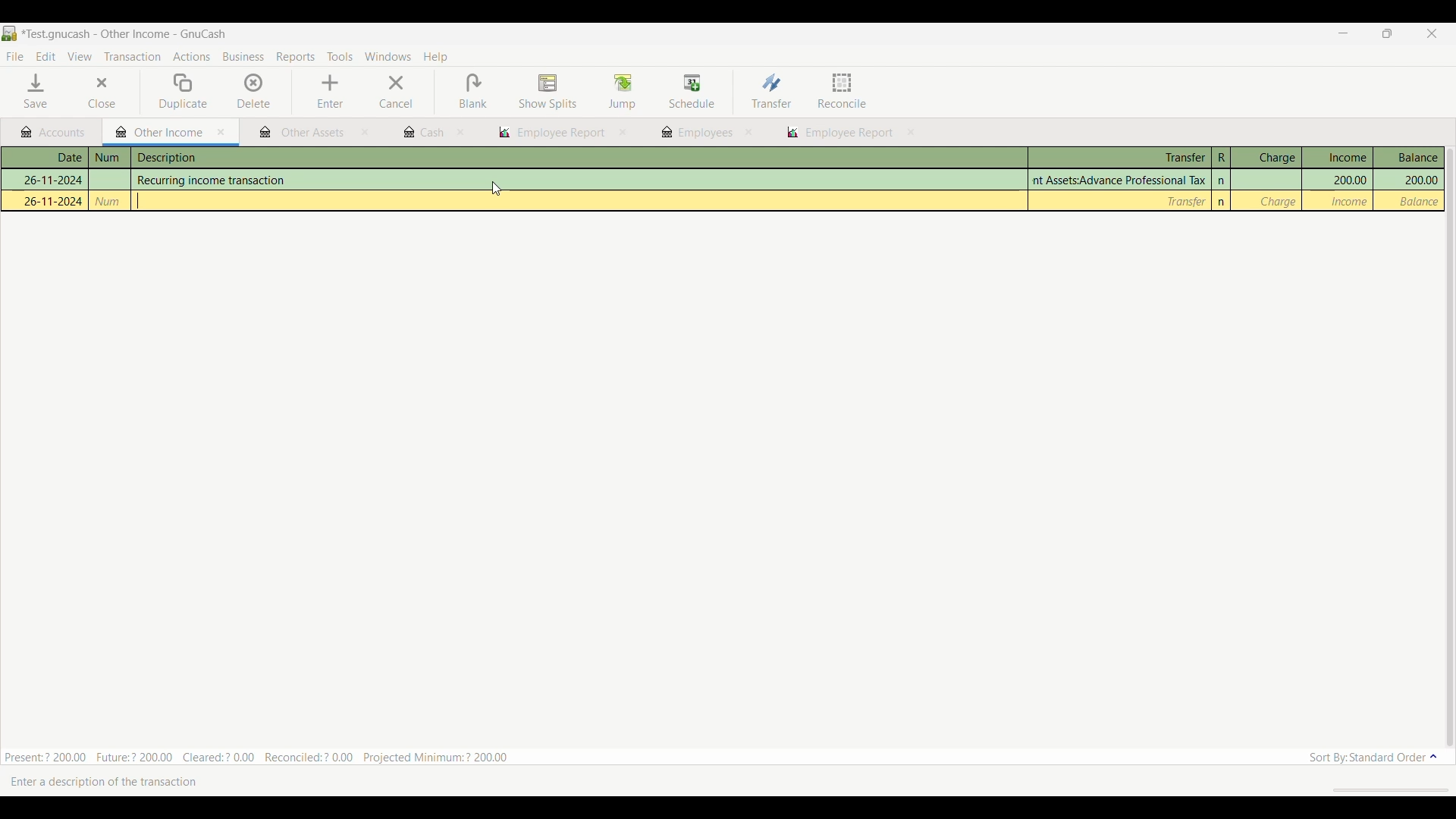 Image resolution: width=1456 pixels, height=819 pixels. Describe the element at coordinates (748, 132) in the screenshot. I see `close` at that location.